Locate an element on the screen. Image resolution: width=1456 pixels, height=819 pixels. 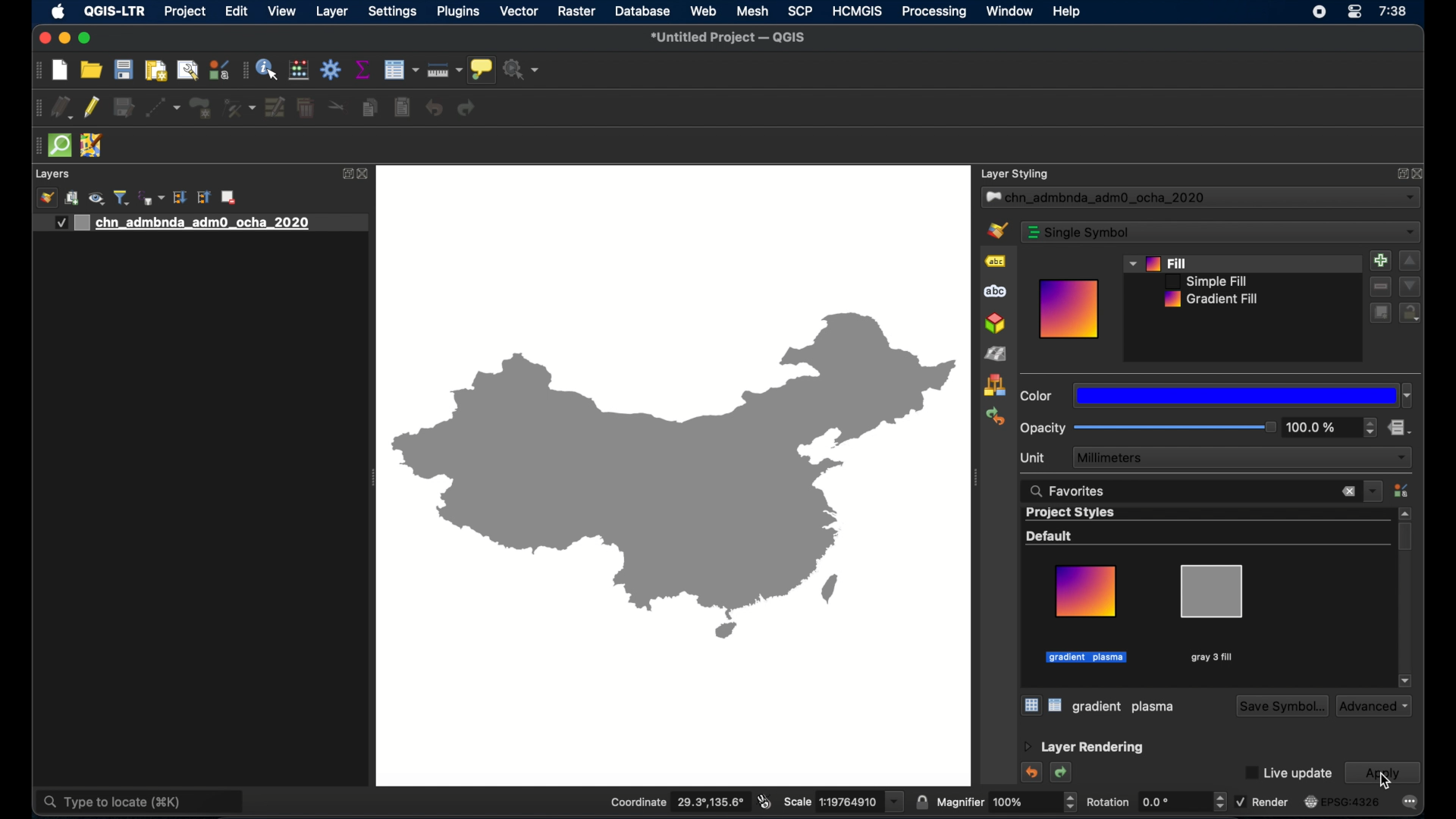
HCMGIS is located at coordinates (858, 11).